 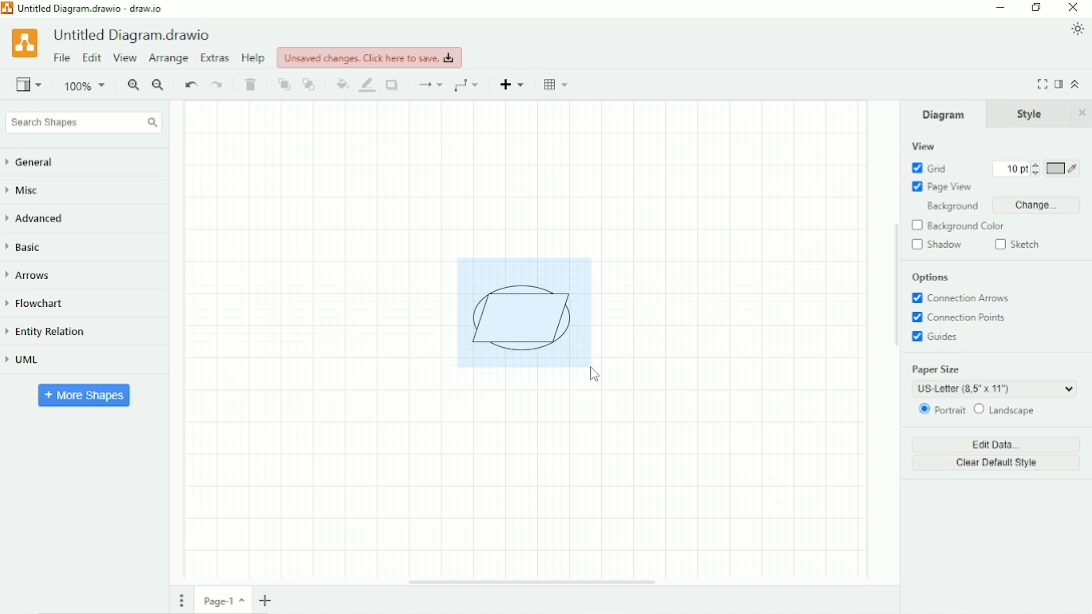 I want to click on Edit data, so click(x=998, y=444).